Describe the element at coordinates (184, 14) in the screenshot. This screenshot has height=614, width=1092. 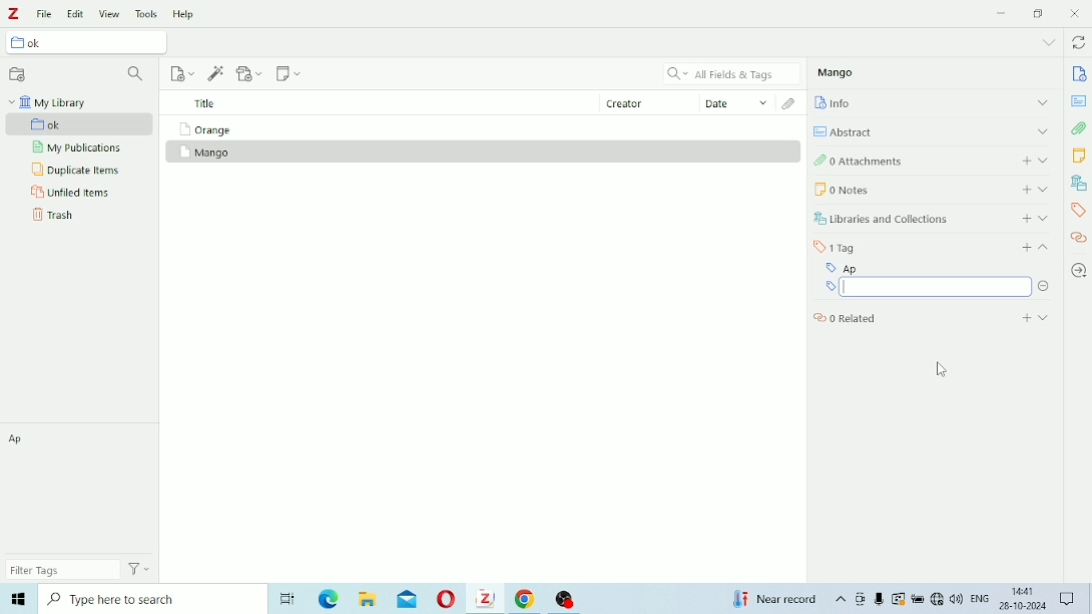
I see `Help` at that location.